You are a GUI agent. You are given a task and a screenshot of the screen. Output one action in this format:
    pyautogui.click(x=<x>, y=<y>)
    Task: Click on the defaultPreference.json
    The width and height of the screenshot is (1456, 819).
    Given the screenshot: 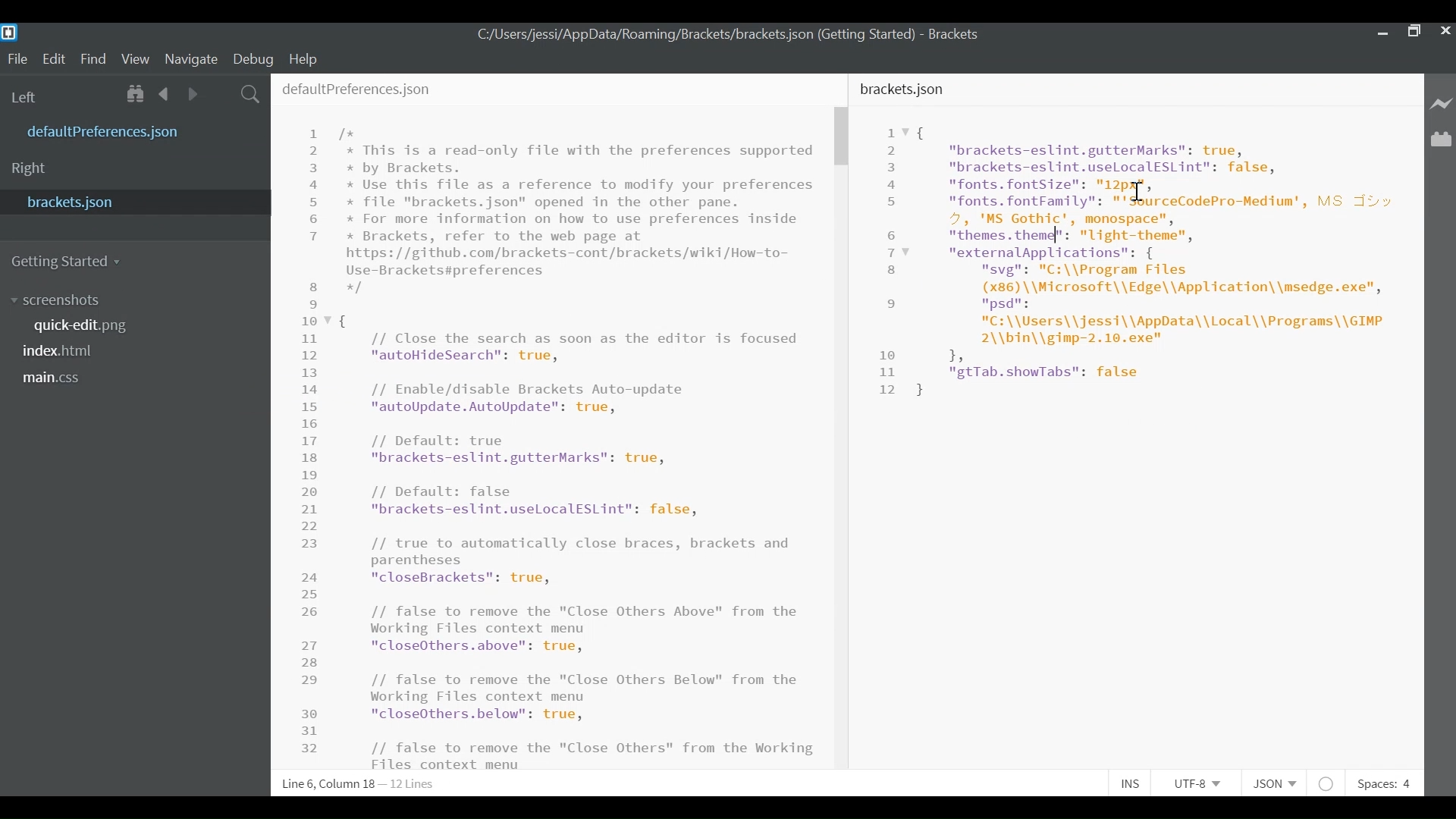 What is the action you would take?
    pyautogui.click(x=140, y=130)
    